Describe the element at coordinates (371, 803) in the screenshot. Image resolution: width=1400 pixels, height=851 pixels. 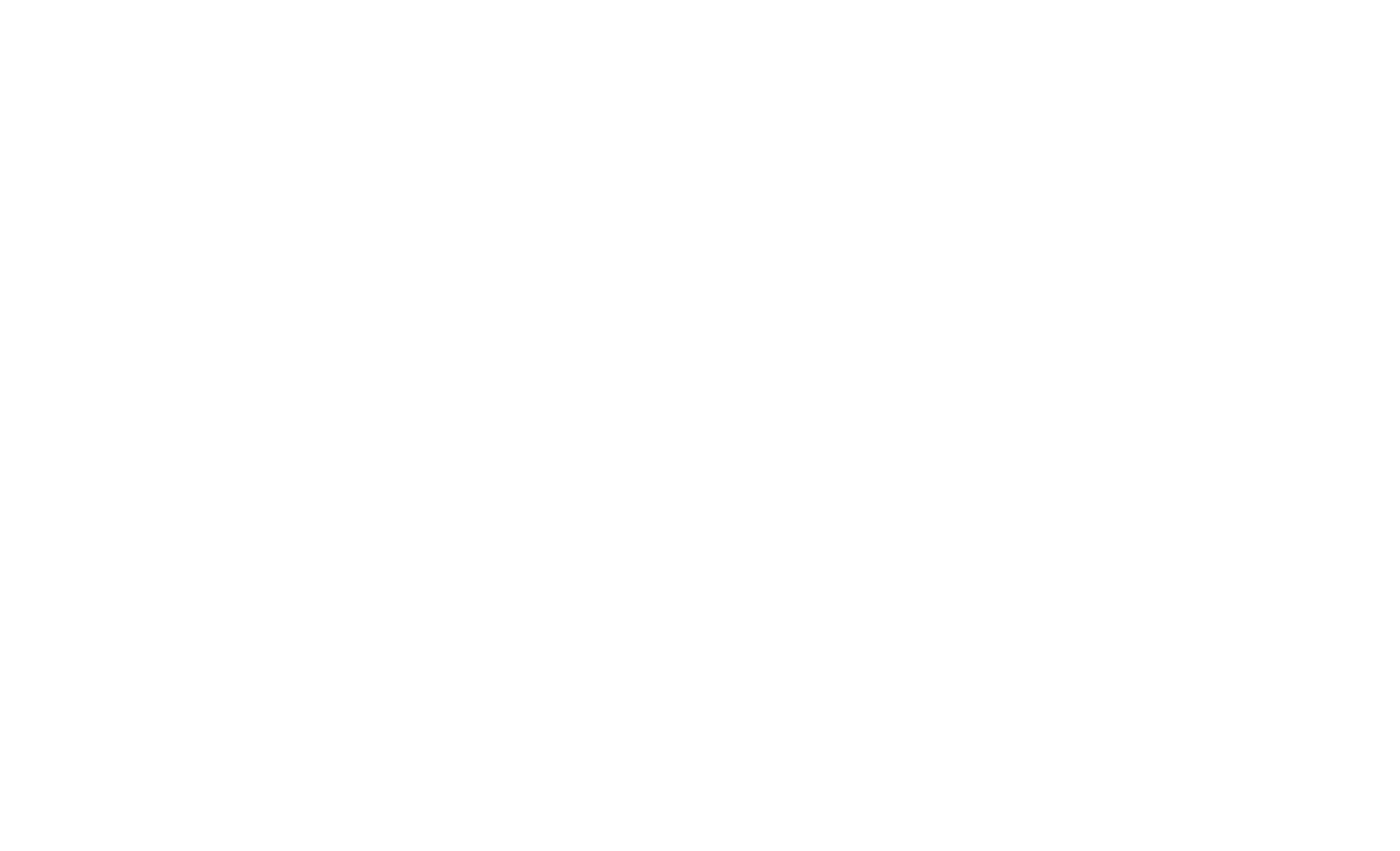
I see `Source properties` at that location.